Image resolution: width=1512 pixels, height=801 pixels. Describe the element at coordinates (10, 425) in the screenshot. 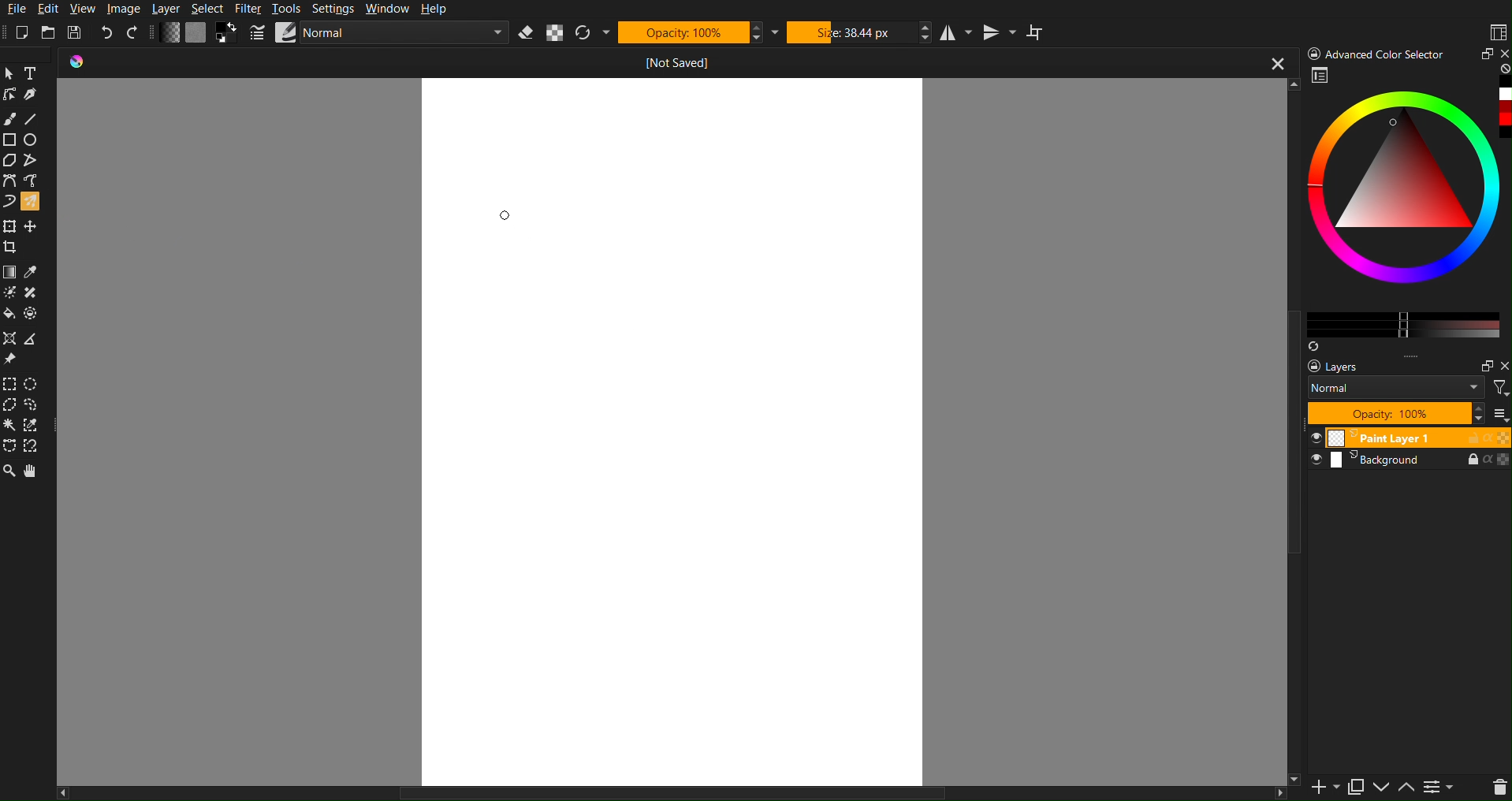

I see `Continous selection tool` at that location.